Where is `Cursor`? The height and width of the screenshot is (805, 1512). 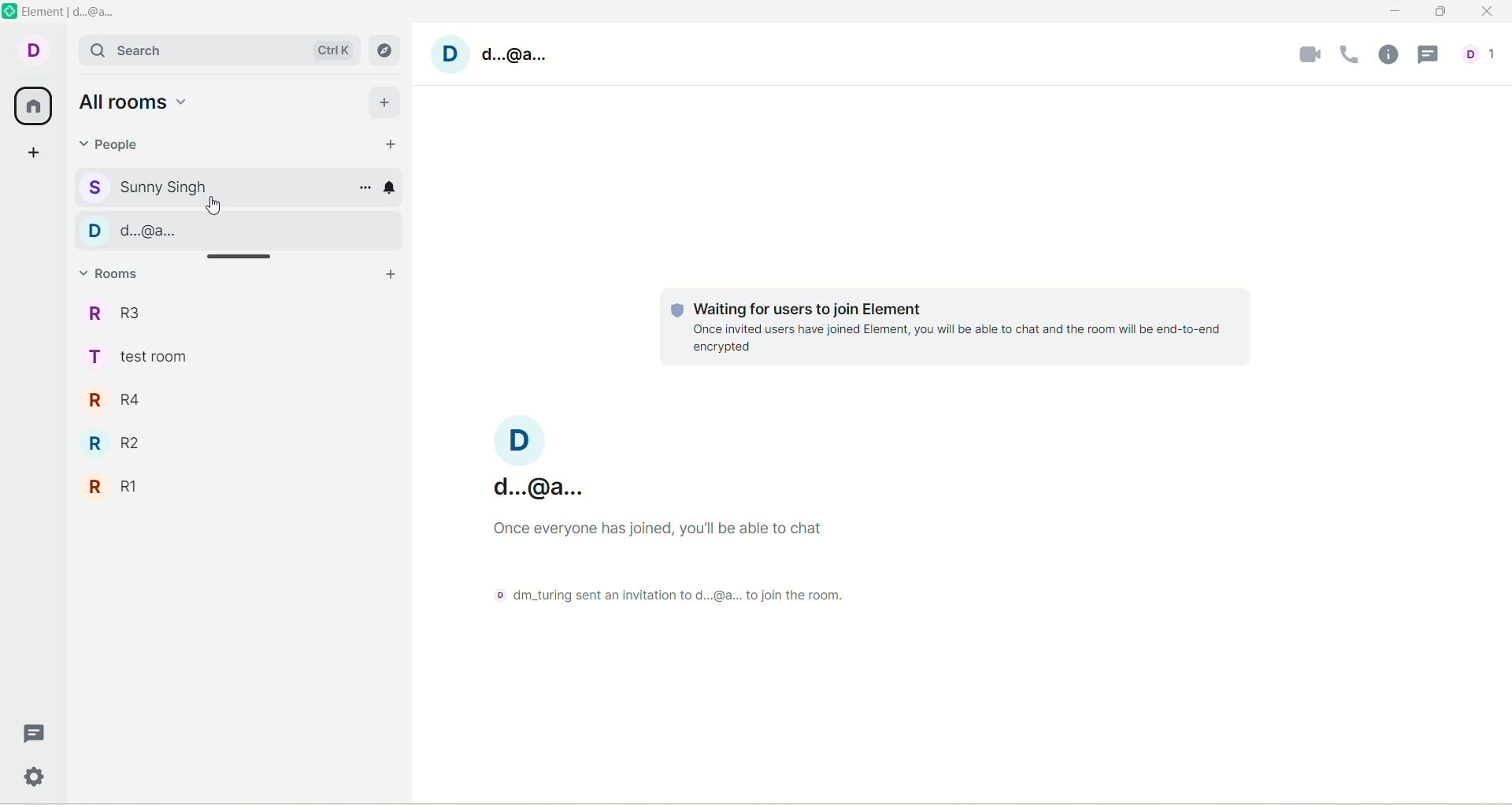
Cursor is located at coordinates (213, 206).